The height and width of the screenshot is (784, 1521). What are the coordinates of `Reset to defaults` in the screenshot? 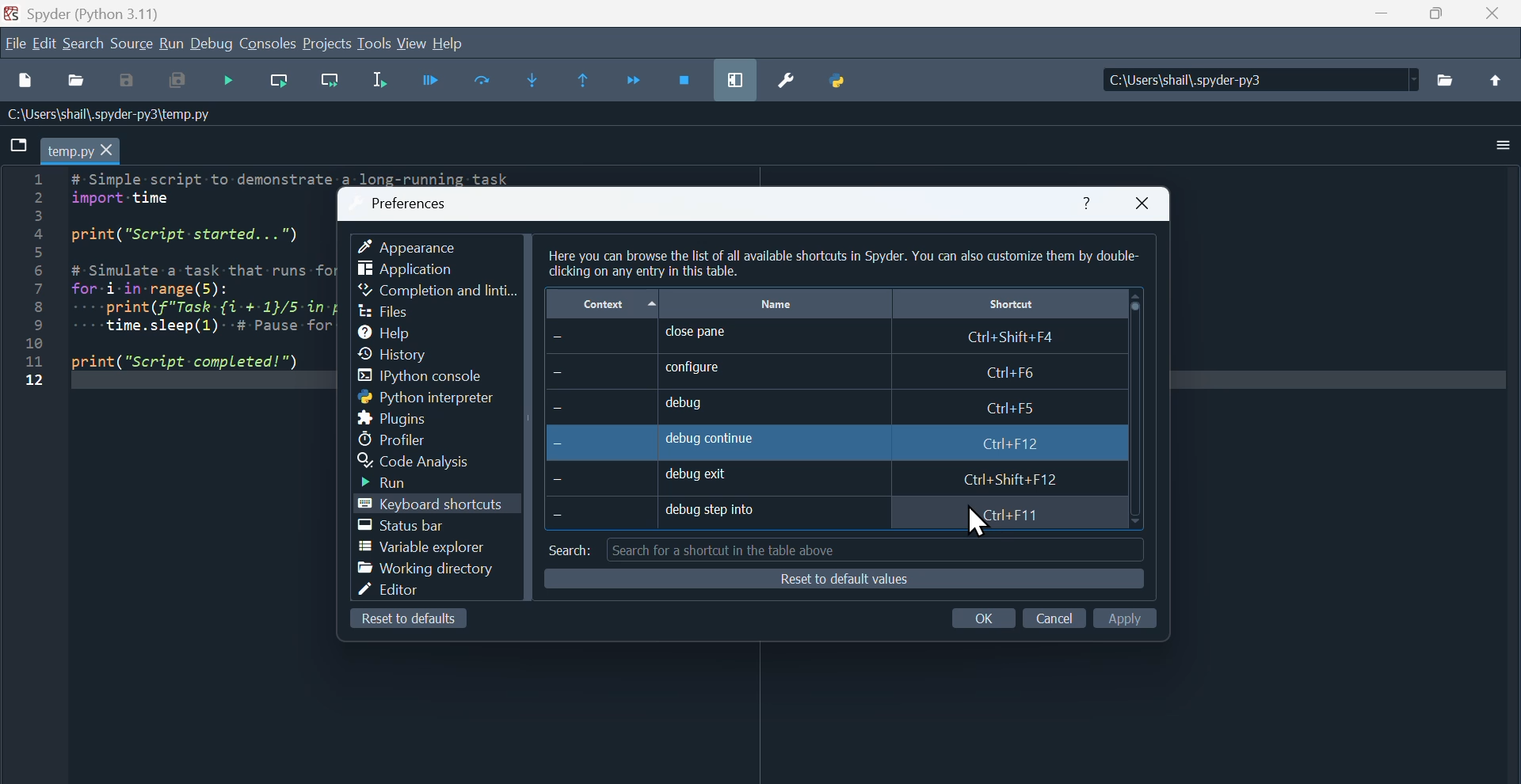 It's located at (410, 622).